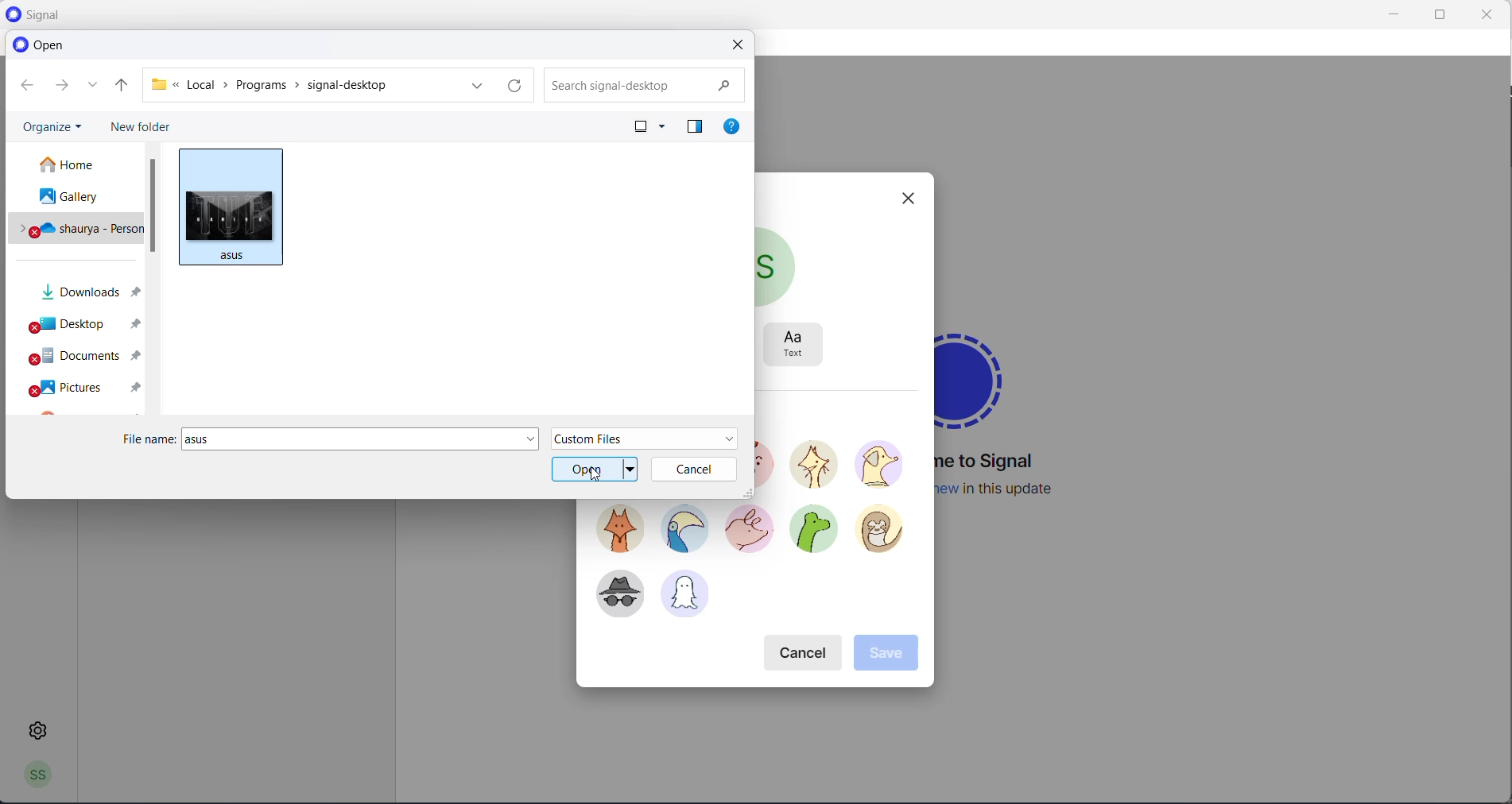  Describe the element at coordinates (684, 592) in the screenshot. I see `avatar` at that location.